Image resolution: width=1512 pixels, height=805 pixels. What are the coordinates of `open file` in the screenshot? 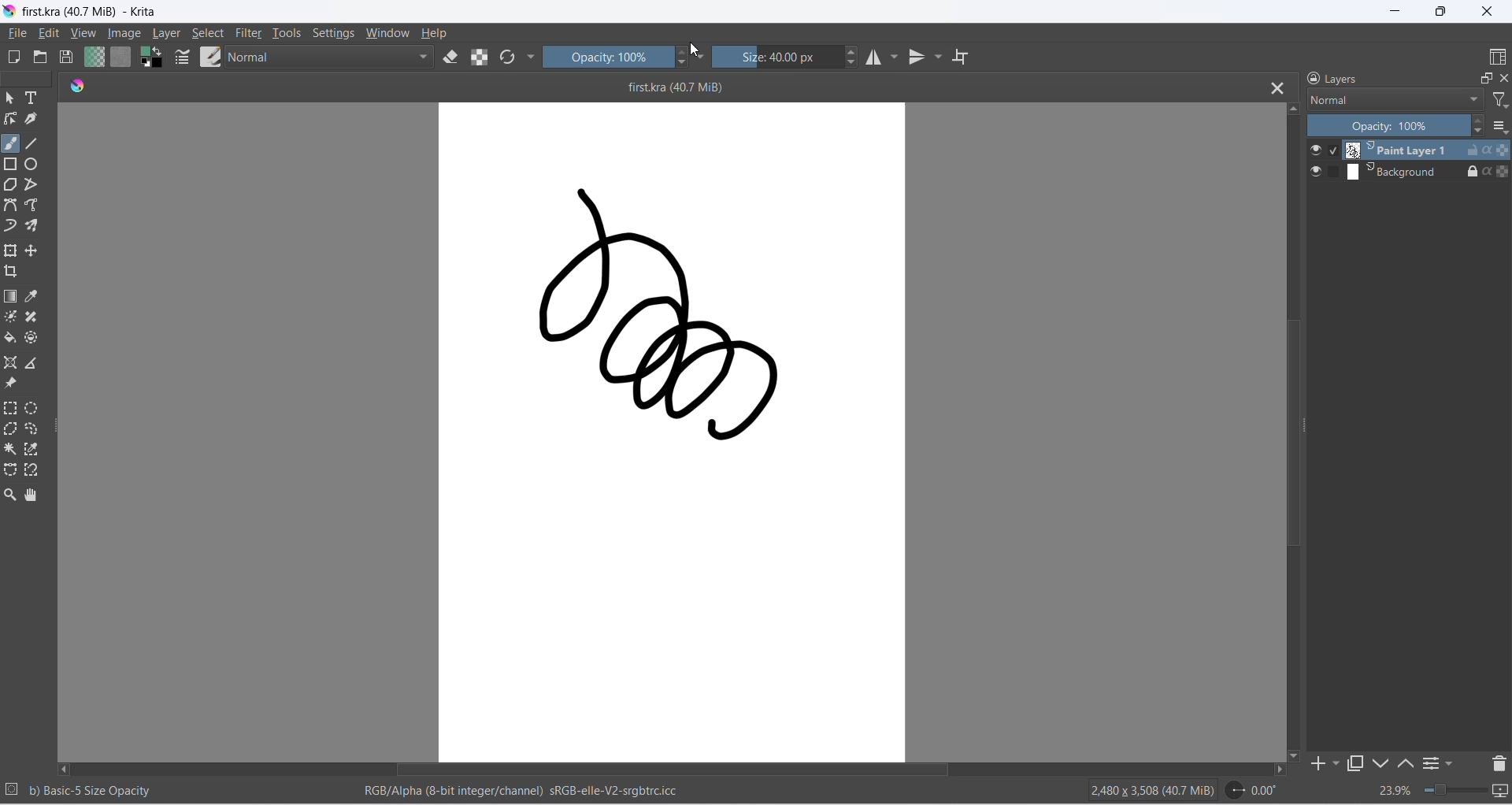 It's located at (40, 57).